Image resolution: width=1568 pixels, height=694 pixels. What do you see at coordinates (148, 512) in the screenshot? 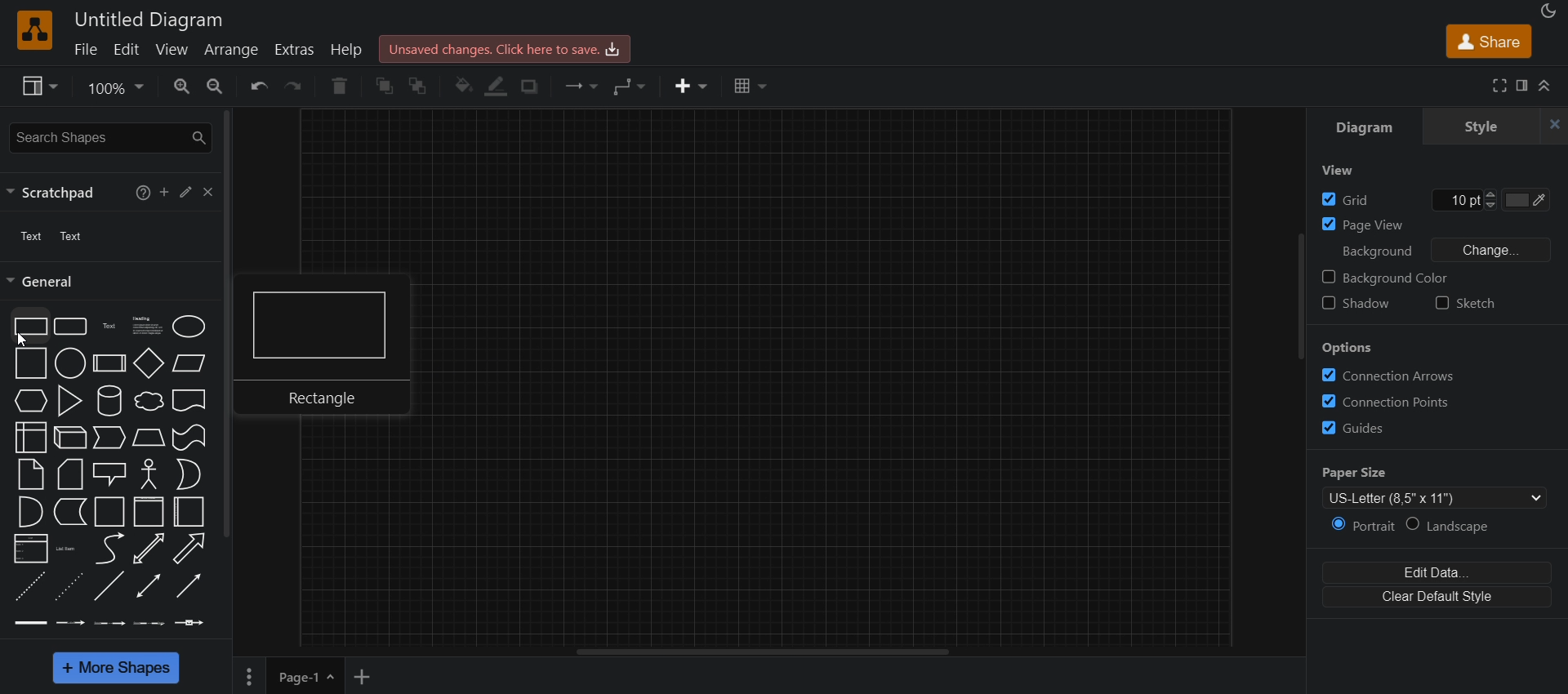
I see `vertical container` at bounding box center [148, 512].